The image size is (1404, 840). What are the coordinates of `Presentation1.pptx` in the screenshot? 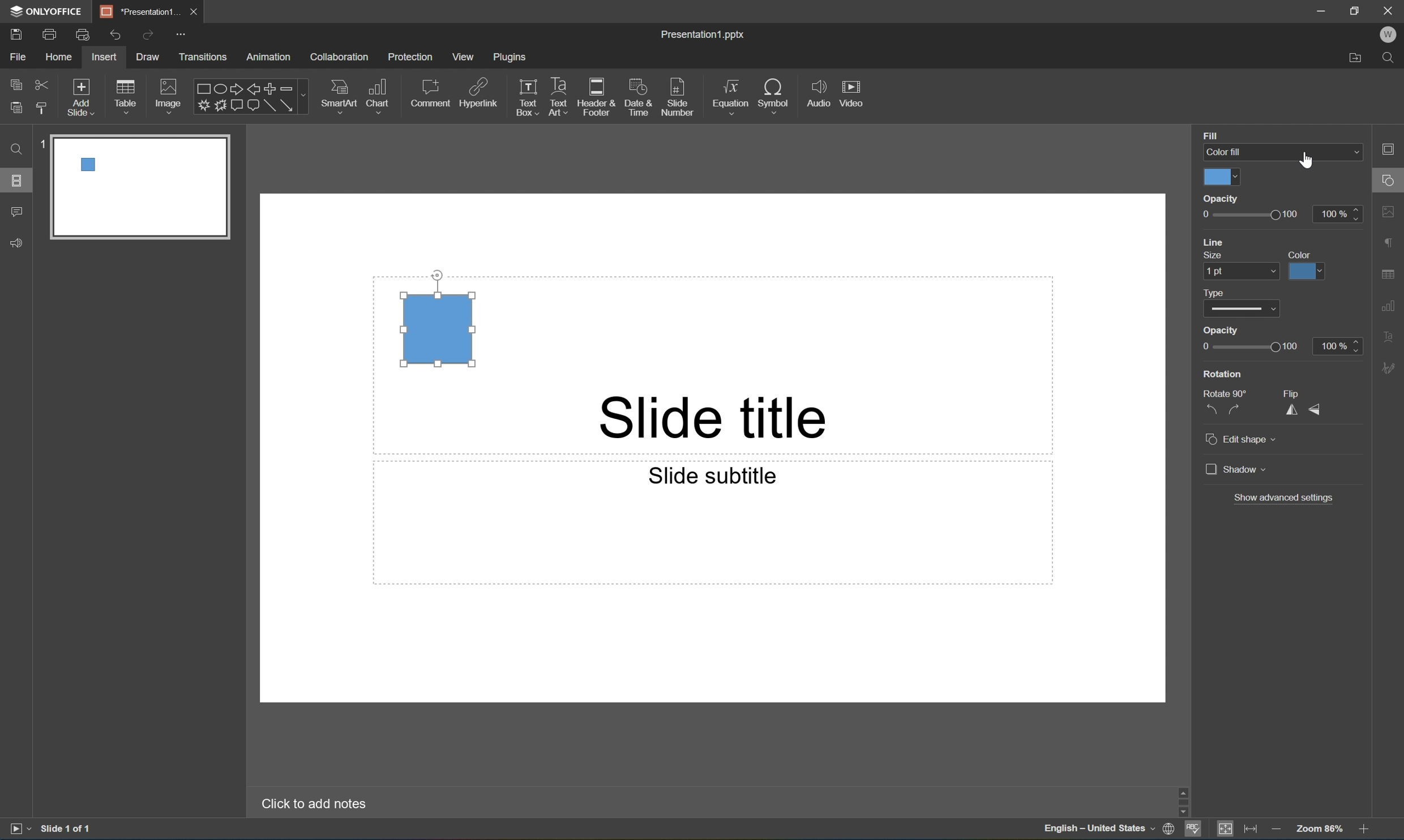 It's located at (705, 36).